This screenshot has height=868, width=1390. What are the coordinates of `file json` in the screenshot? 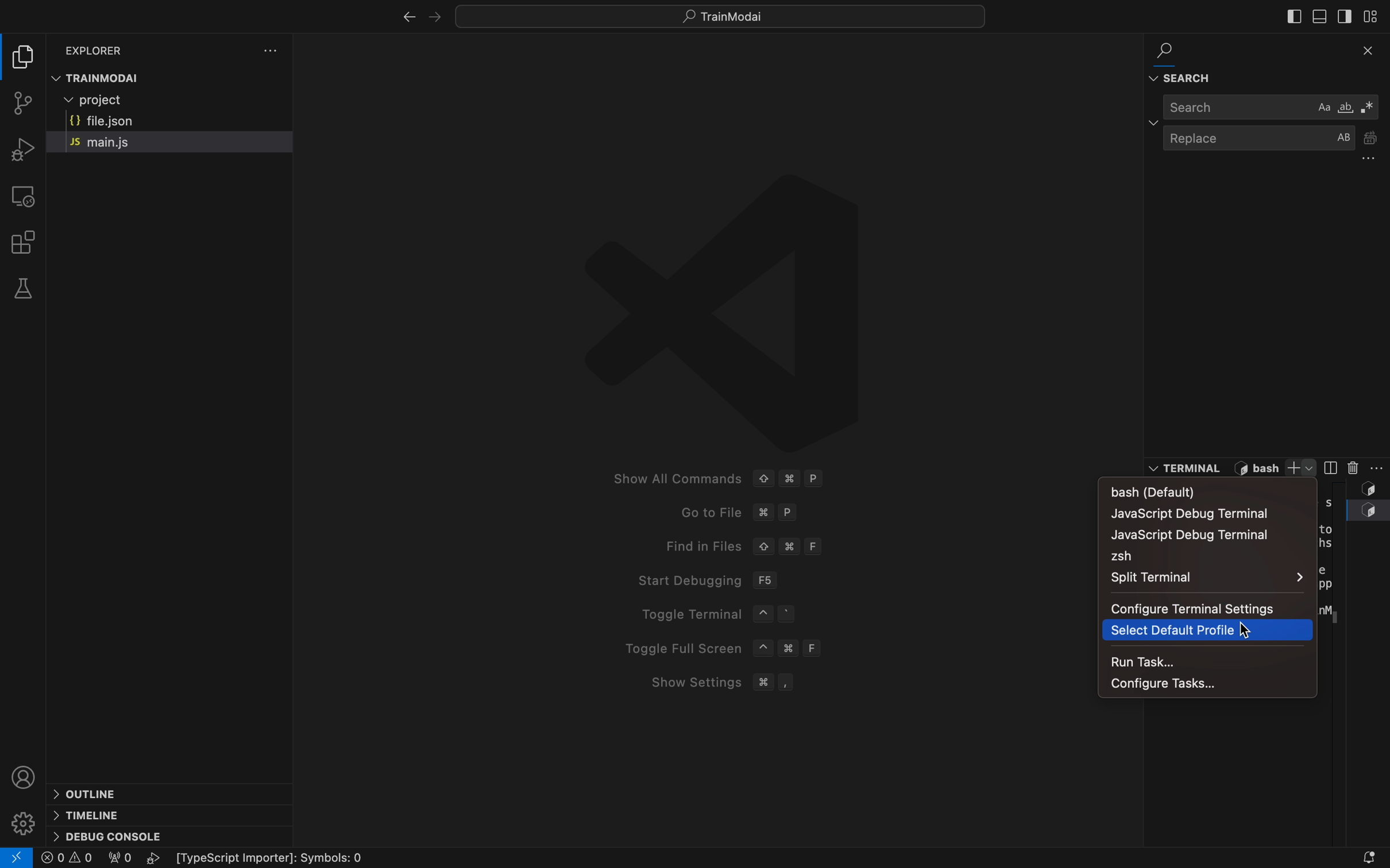 It's located at (132, 122).